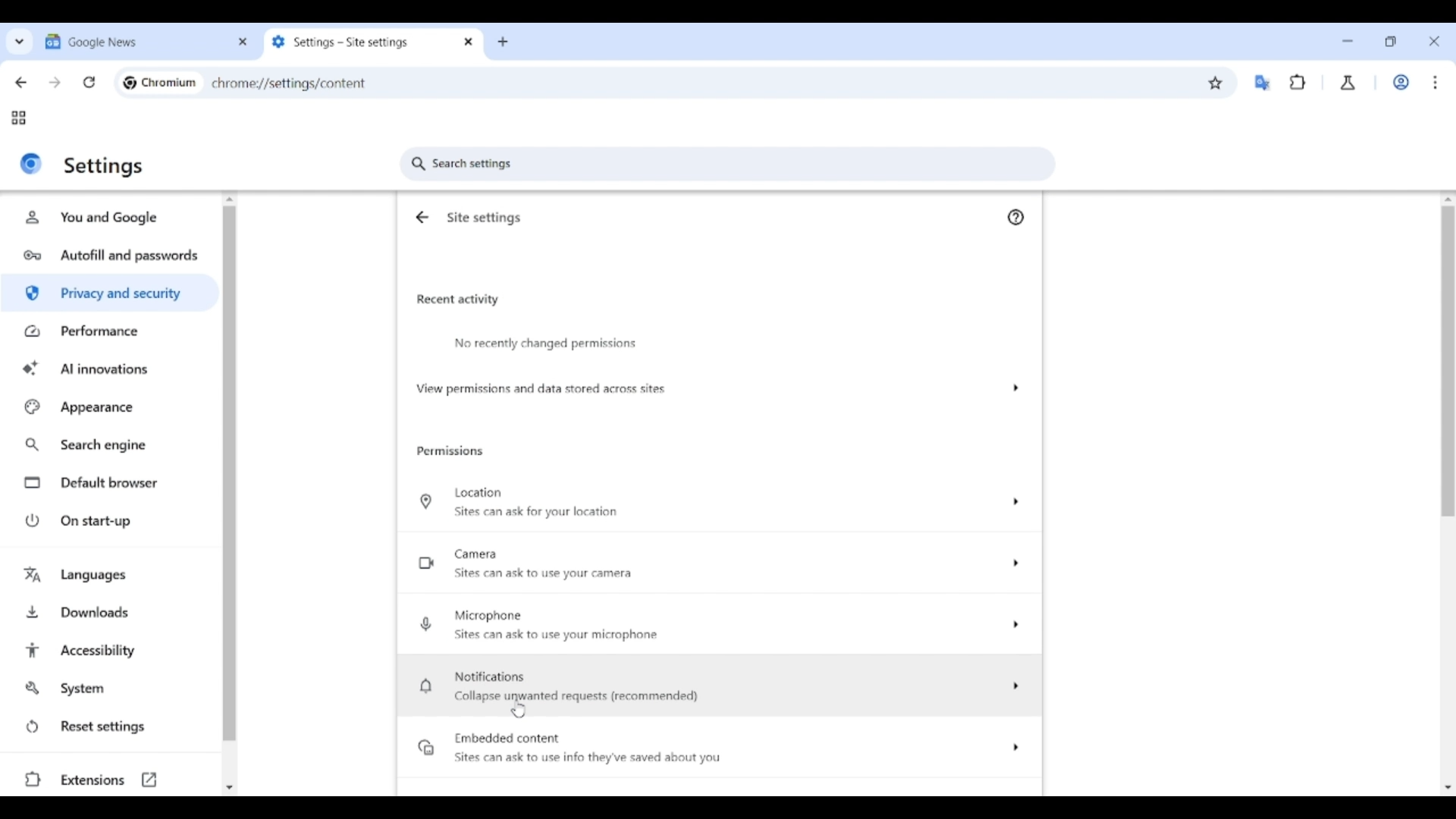  I want to click on Chrome labs, so click(1348, 83).